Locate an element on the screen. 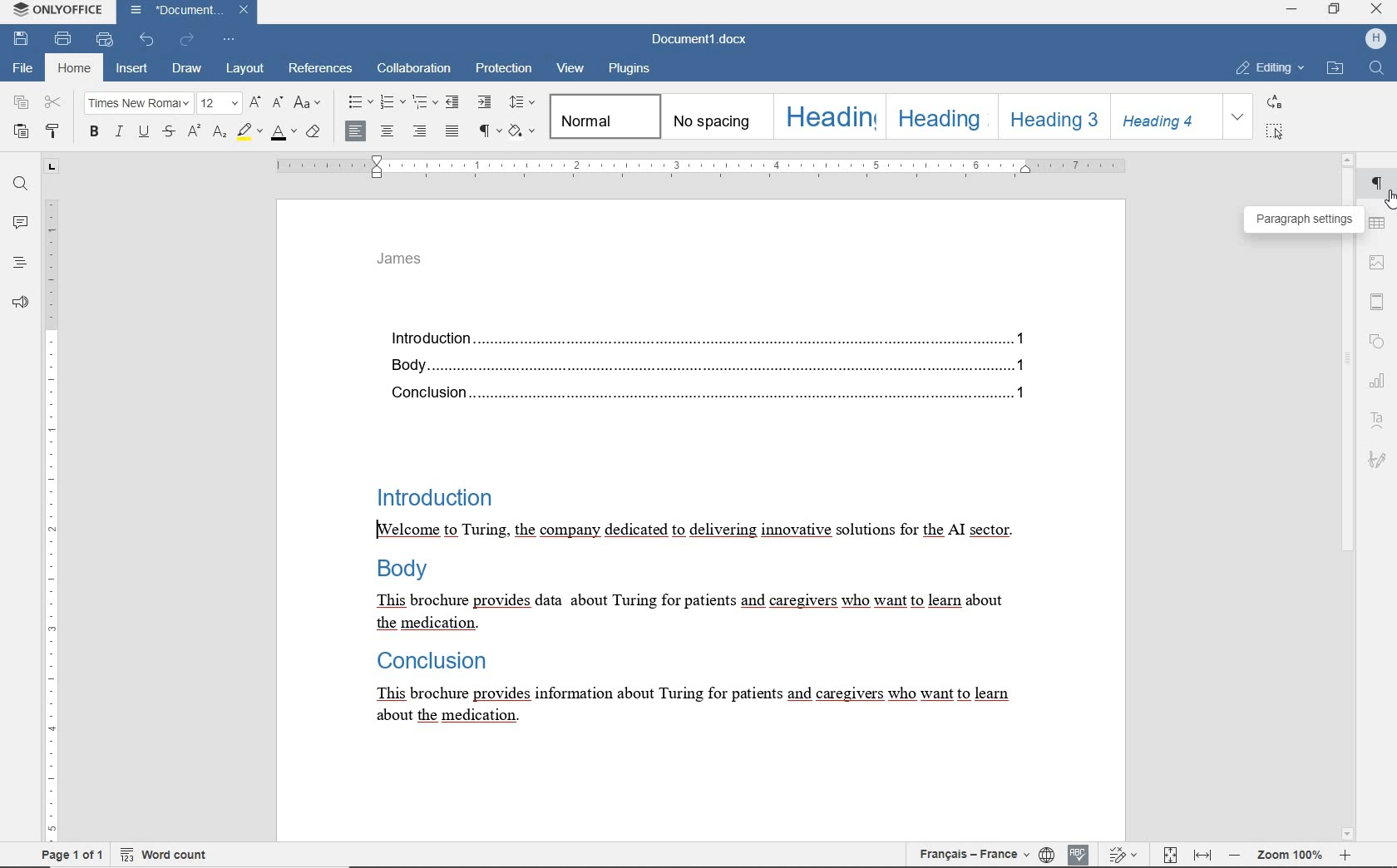 This screenshot has width=1397, height=868. draw is located at coordinates (187, 69).